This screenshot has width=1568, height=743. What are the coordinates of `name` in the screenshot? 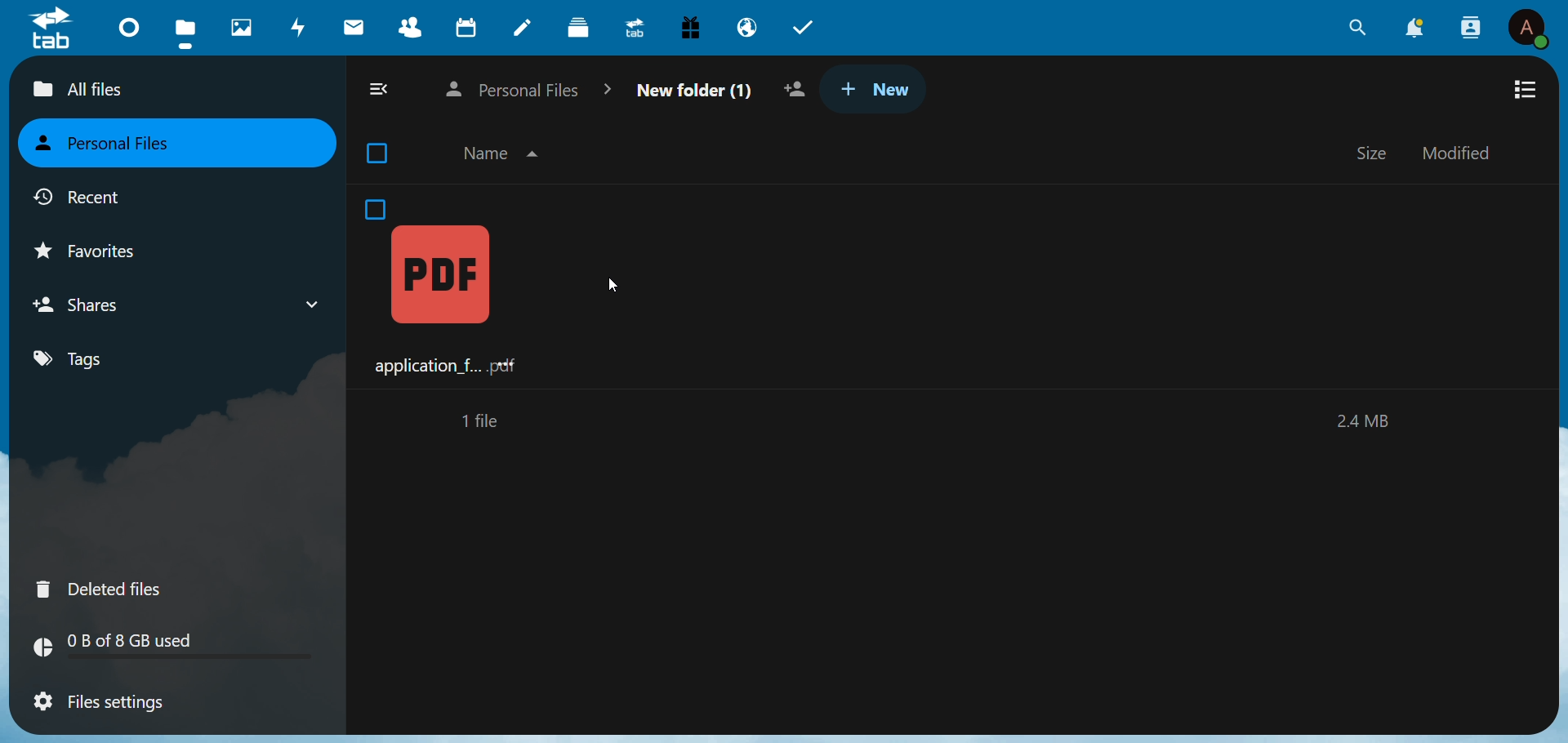 It's located at (506, 154).